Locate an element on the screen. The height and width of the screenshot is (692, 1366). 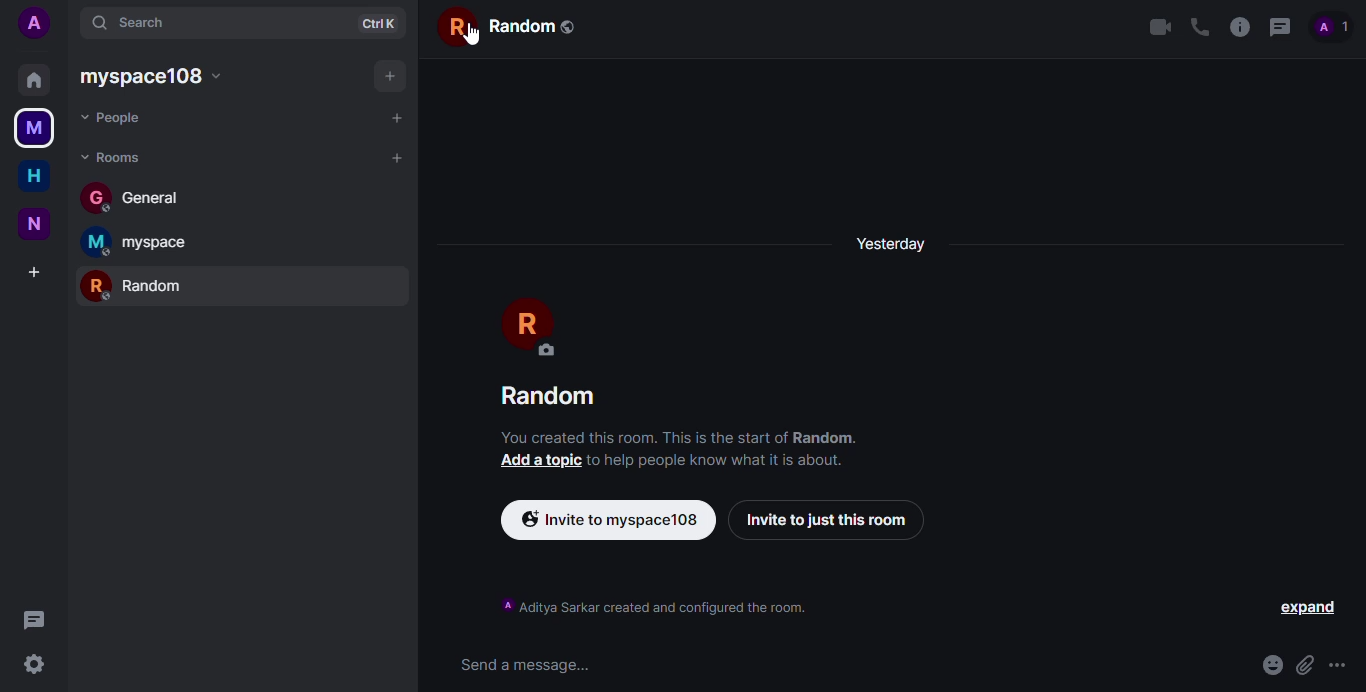
threads is located at coordinates (33, 619).